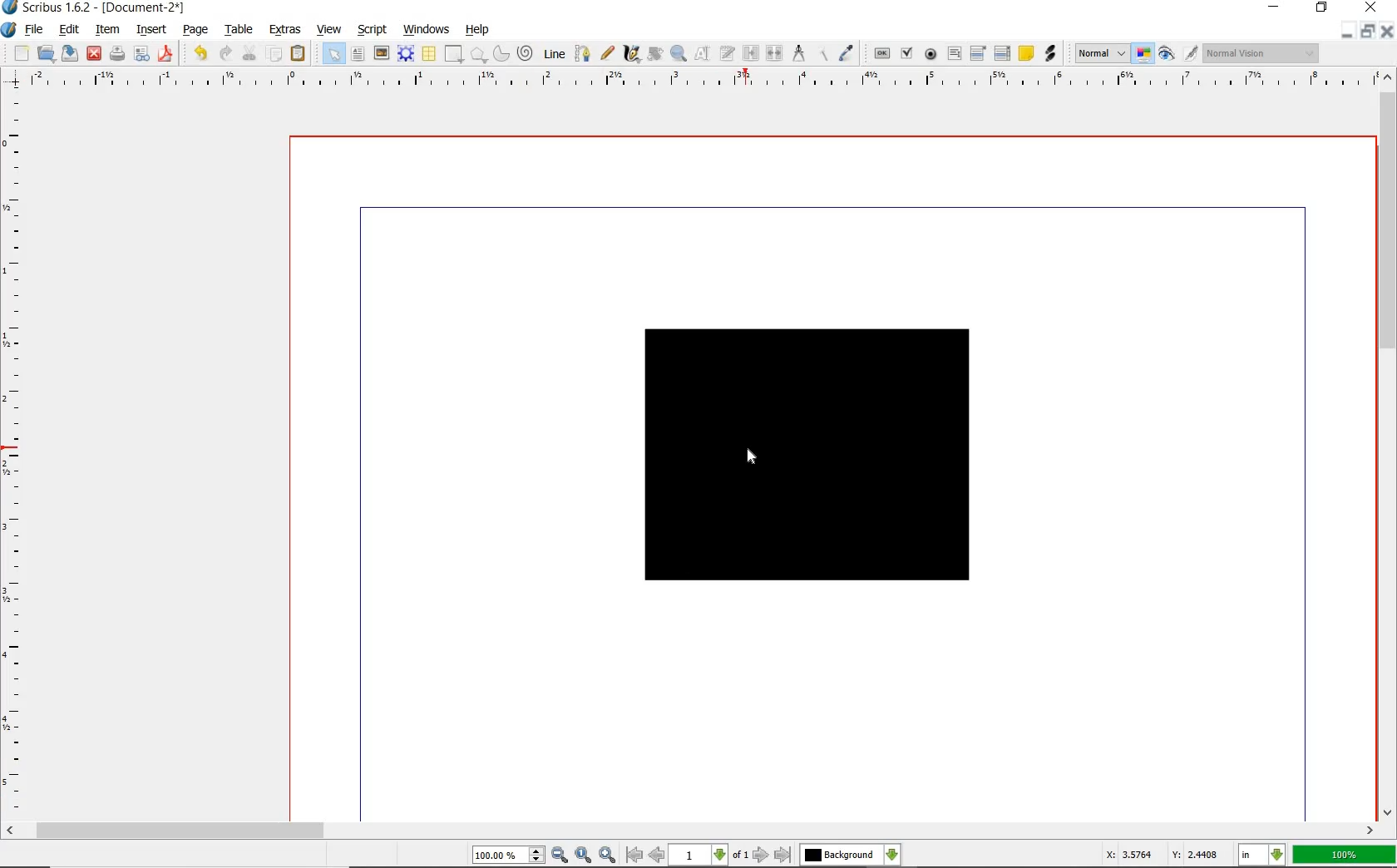  What do you see at coordinates (851, 855) in the screenshot?
I see `select the current layer` at bounding box center [851, 855].